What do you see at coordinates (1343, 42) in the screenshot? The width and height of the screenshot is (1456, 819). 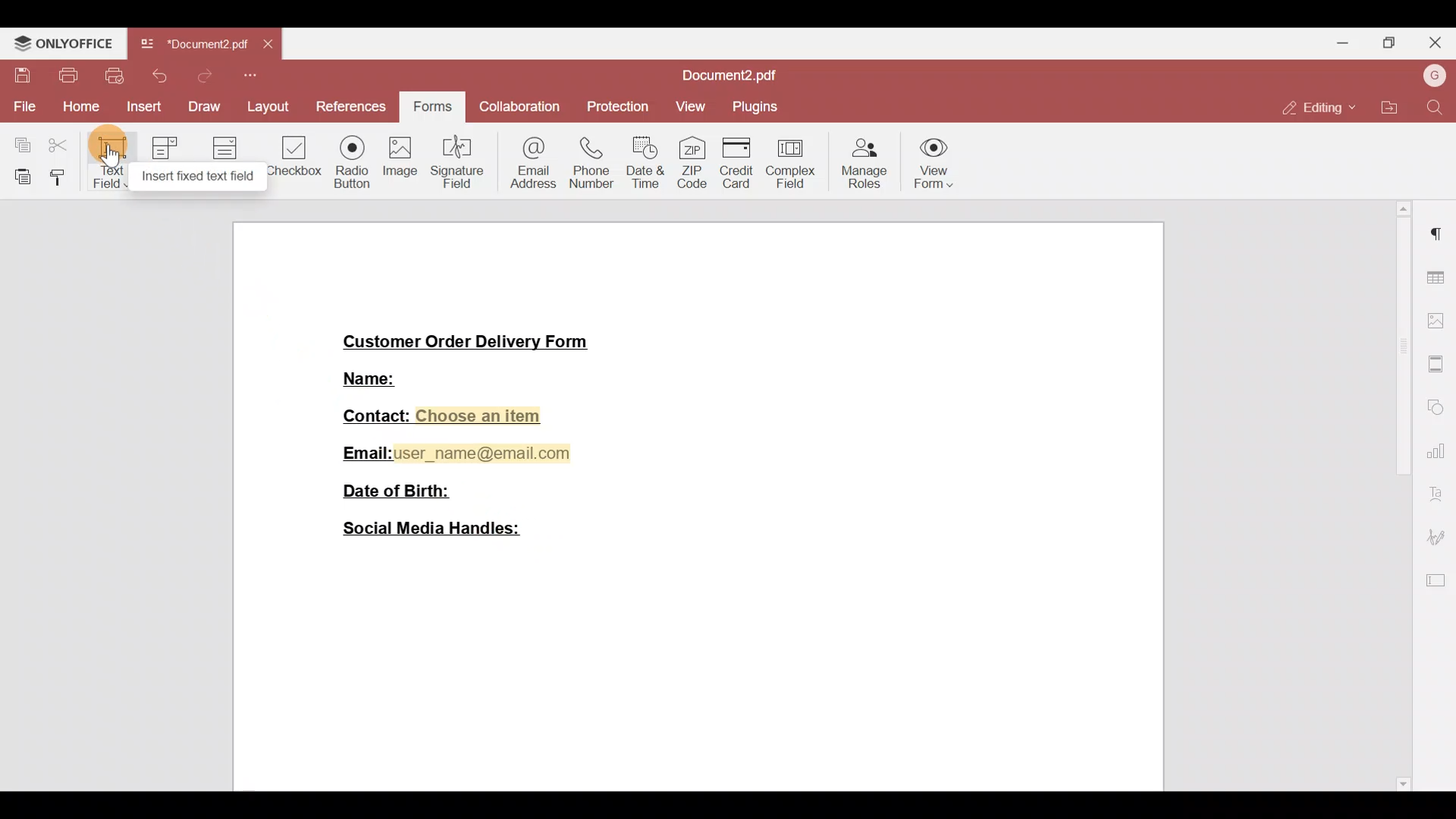 I see `Minimize` at bounding box center [1343, 42].